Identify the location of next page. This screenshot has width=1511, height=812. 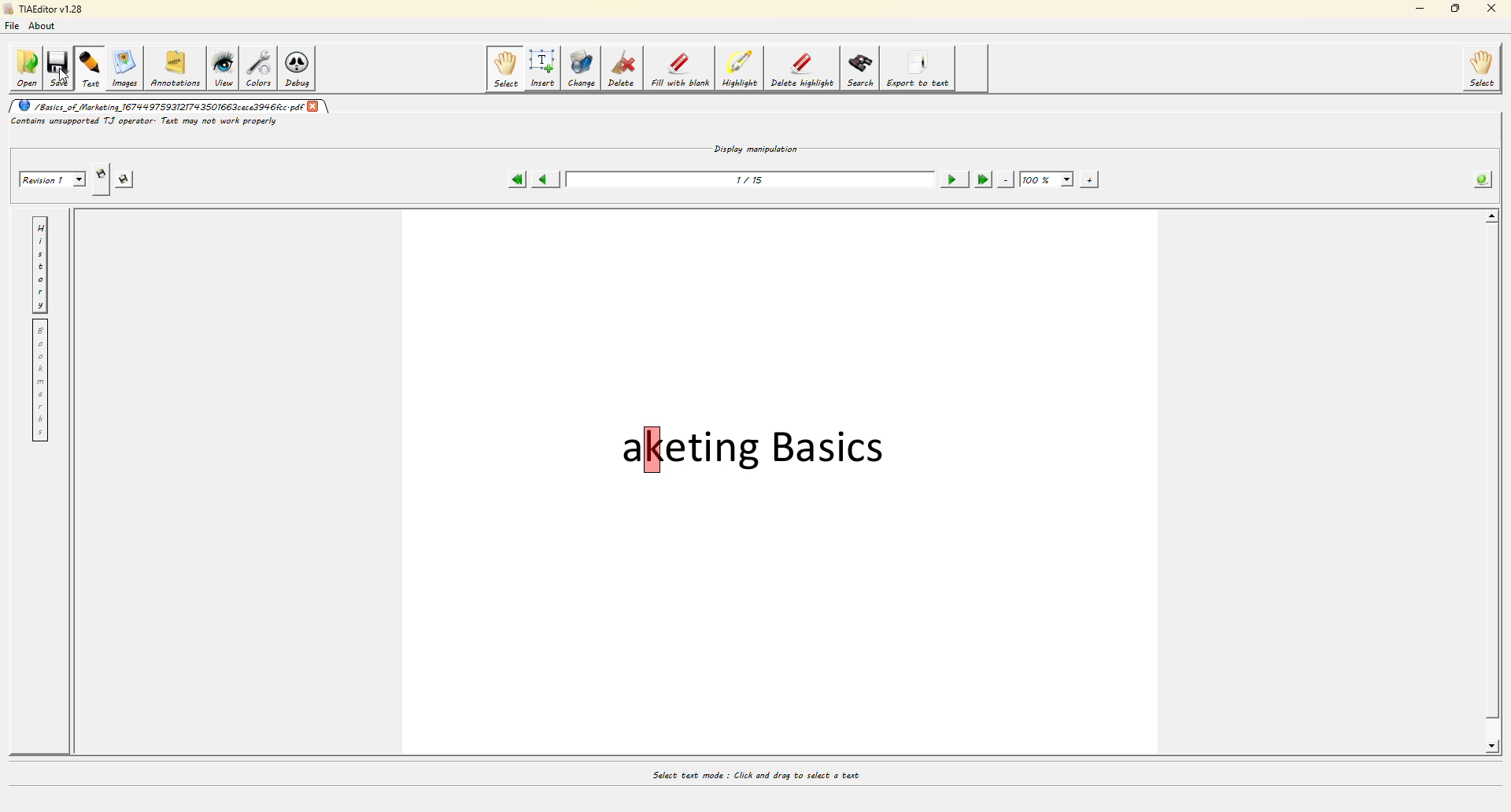
(951, 175).